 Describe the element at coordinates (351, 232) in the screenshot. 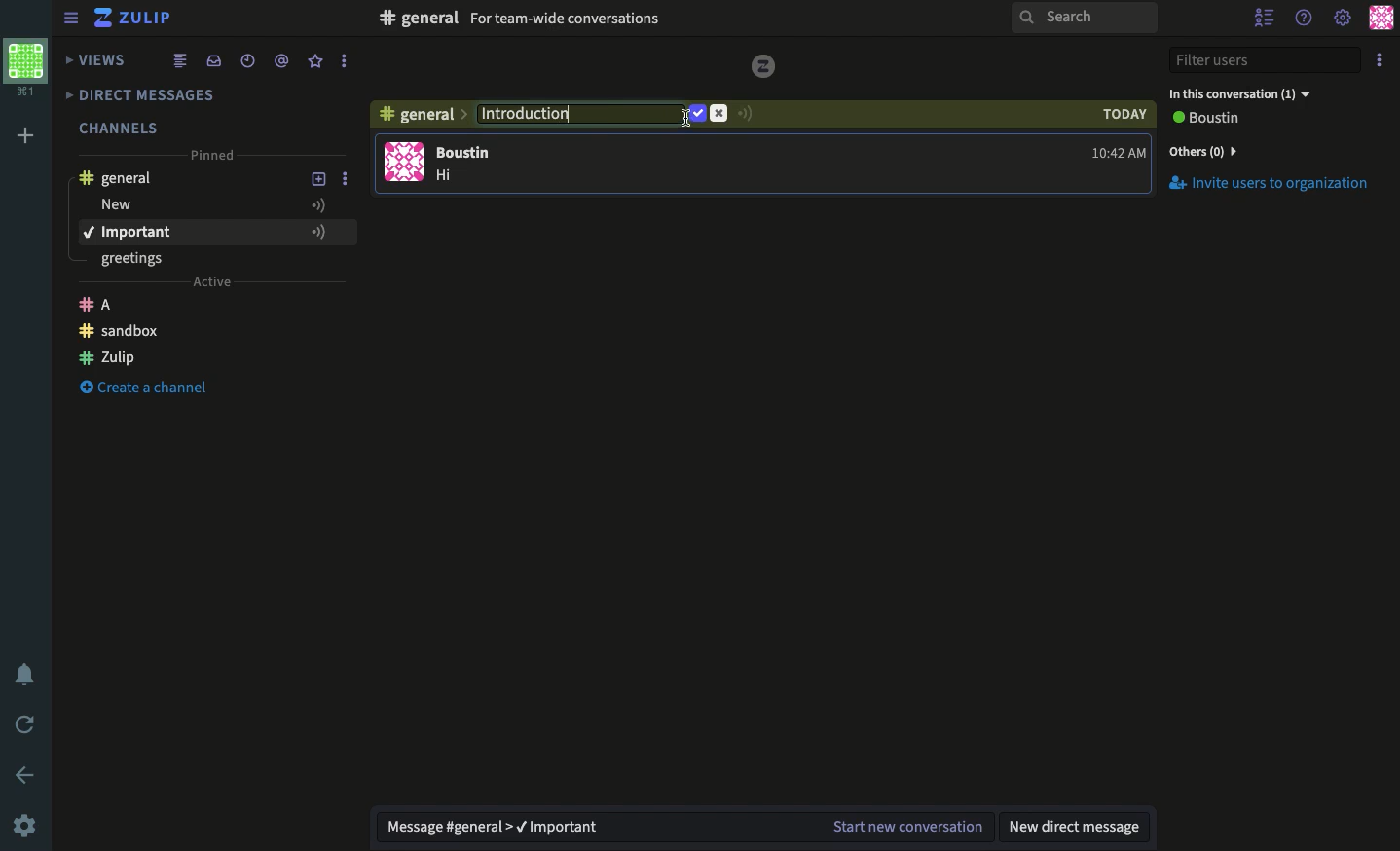

I see `More Options` at that location.